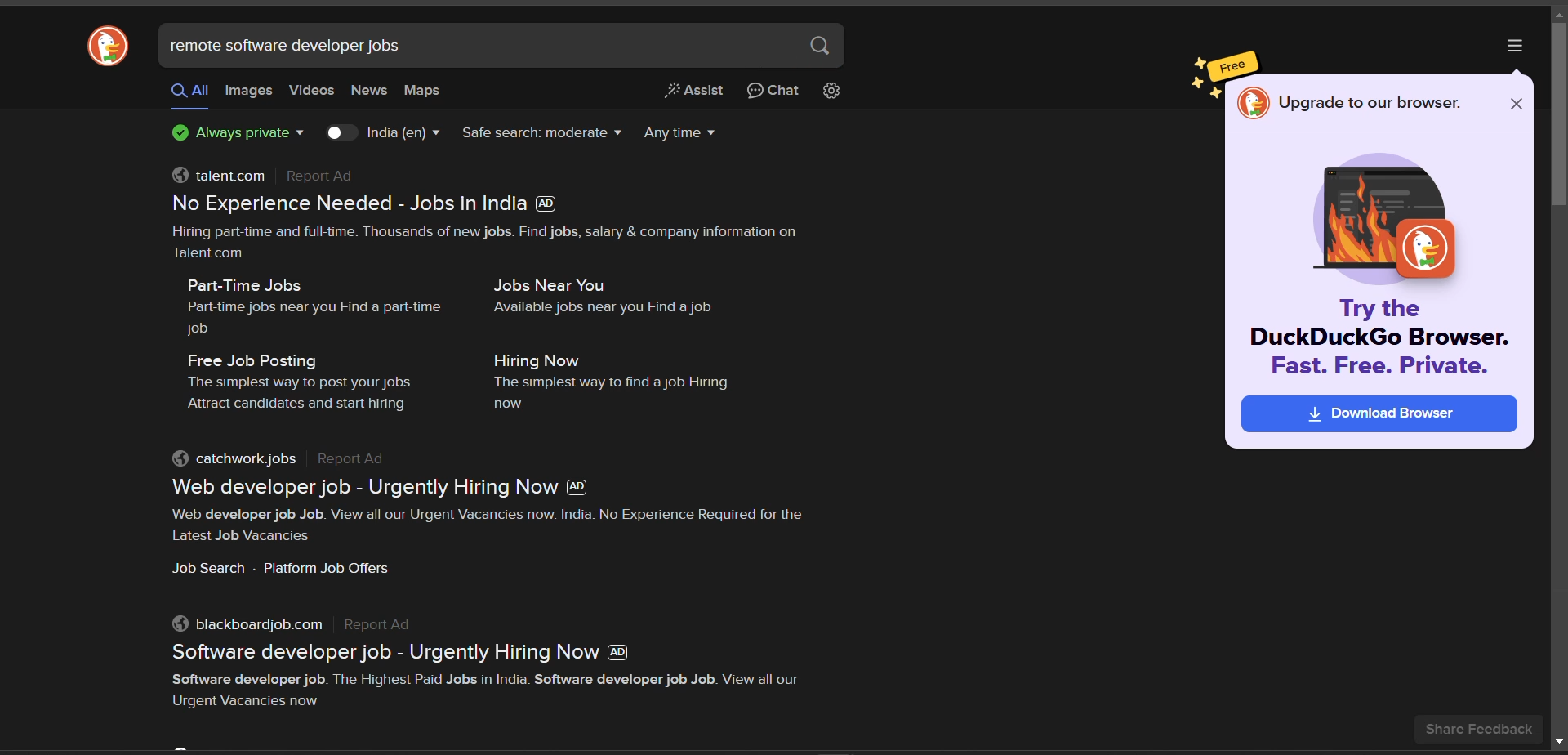 The height and width of the screenshot is (755, 1568). I want to click on country, so click(407, 135).